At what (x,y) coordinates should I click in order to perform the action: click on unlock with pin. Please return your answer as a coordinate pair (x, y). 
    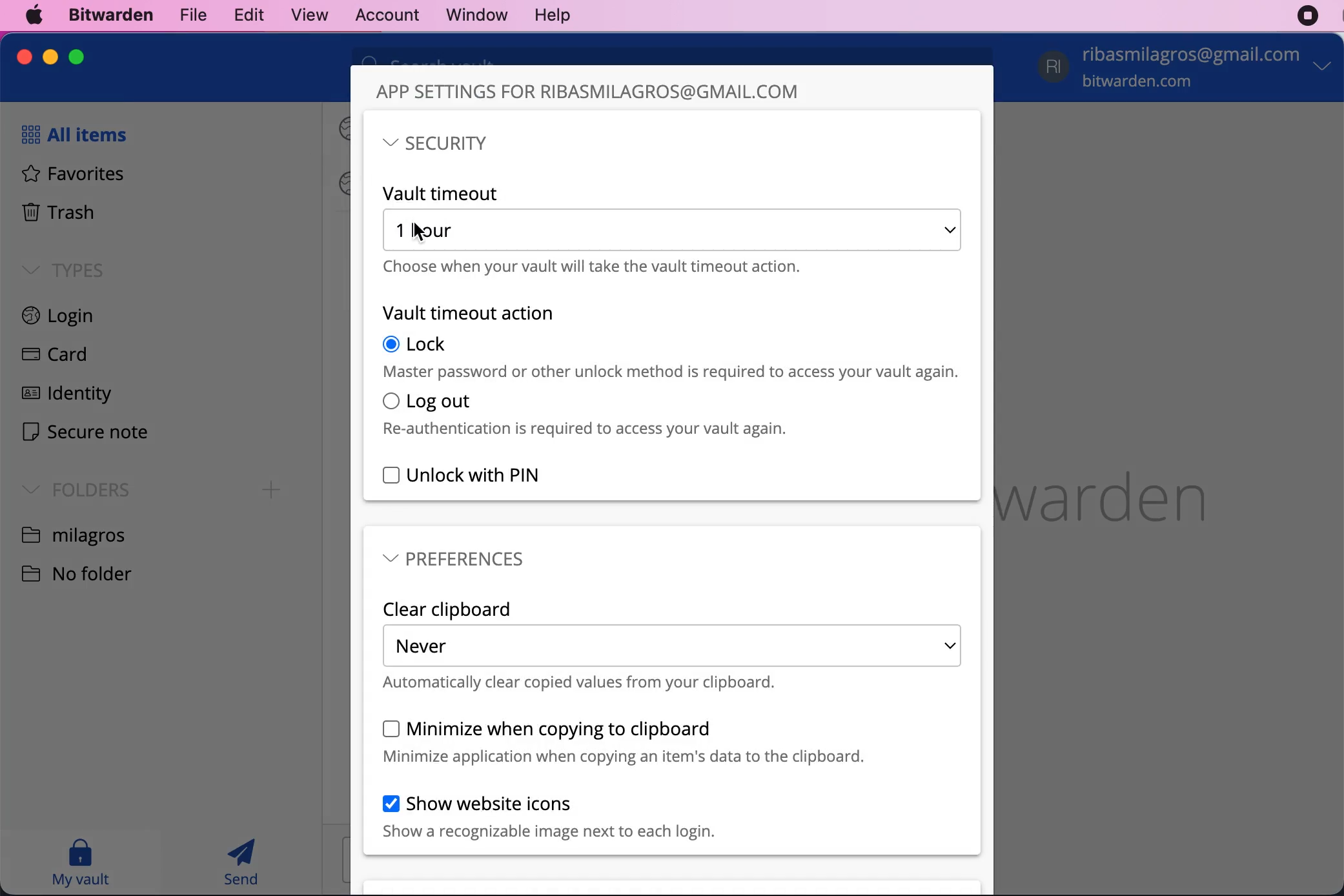
    Looking at the image, I should click on (463, 476).